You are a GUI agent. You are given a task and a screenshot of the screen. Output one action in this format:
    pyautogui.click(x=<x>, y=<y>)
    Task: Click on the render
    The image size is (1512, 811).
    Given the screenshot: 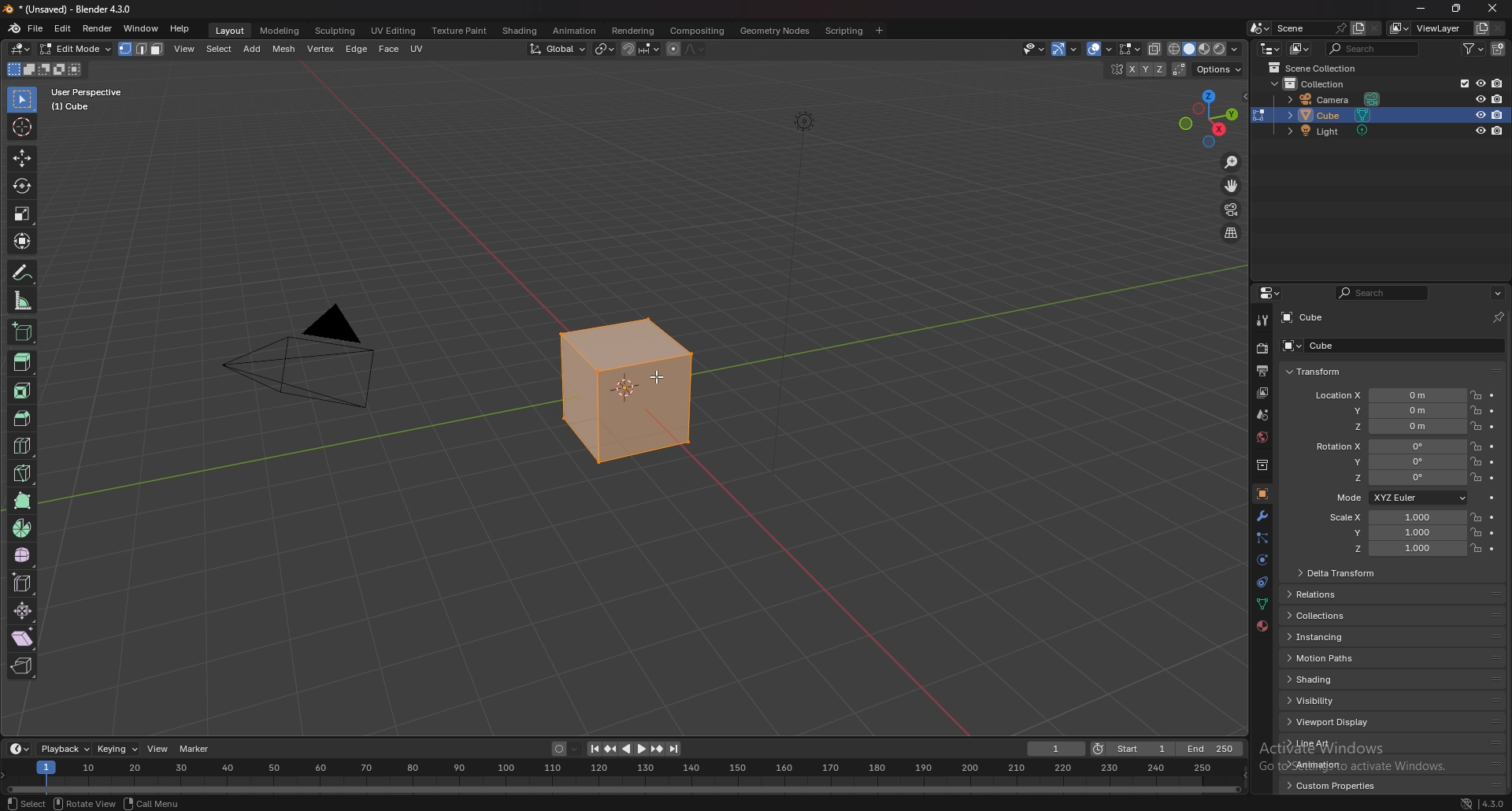 What is the action you would take?
    pyautogui.click(x=1262, y=347)
    